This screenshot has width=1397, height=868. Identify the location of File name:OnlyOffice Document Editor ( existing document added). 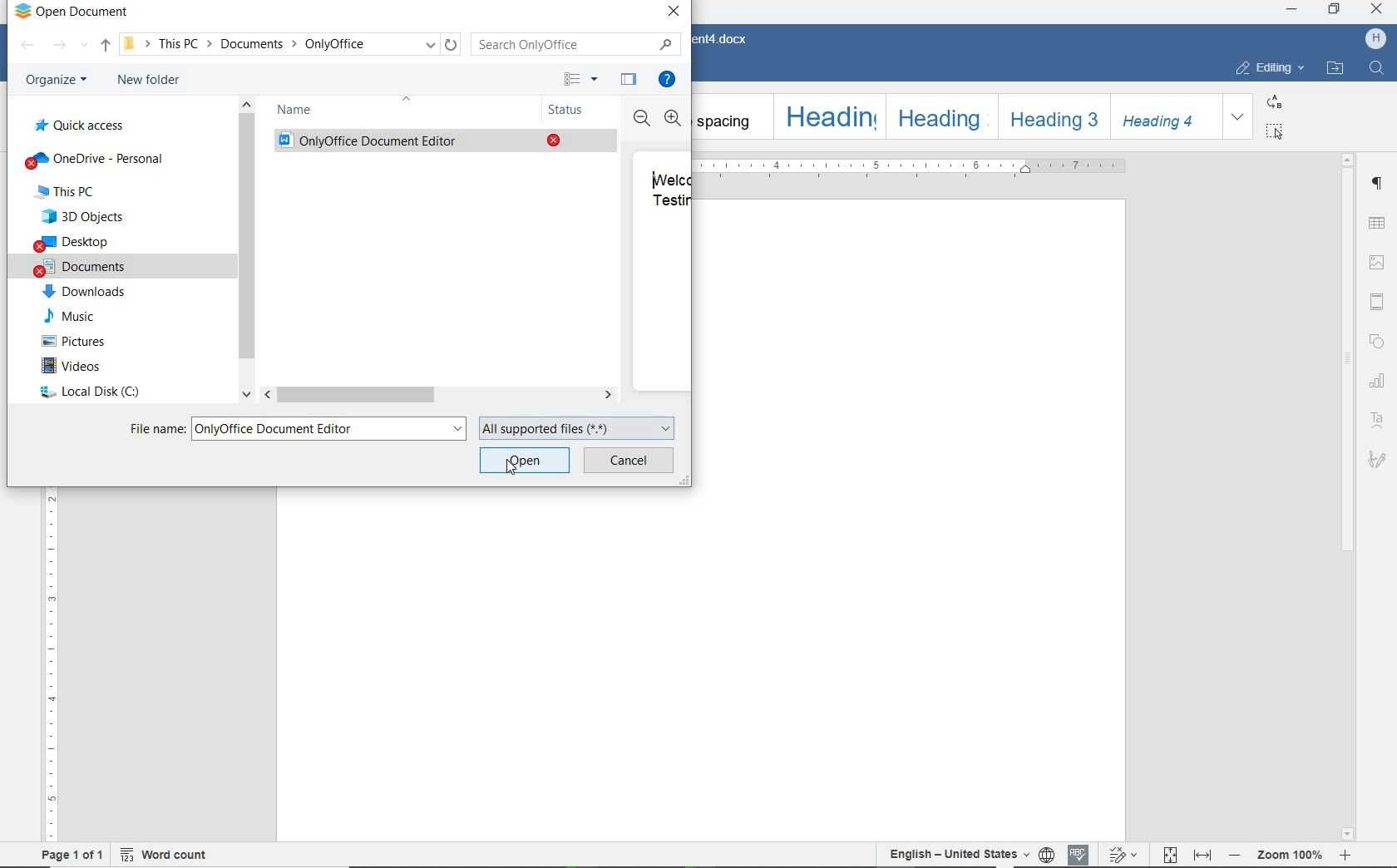
(289, 429).